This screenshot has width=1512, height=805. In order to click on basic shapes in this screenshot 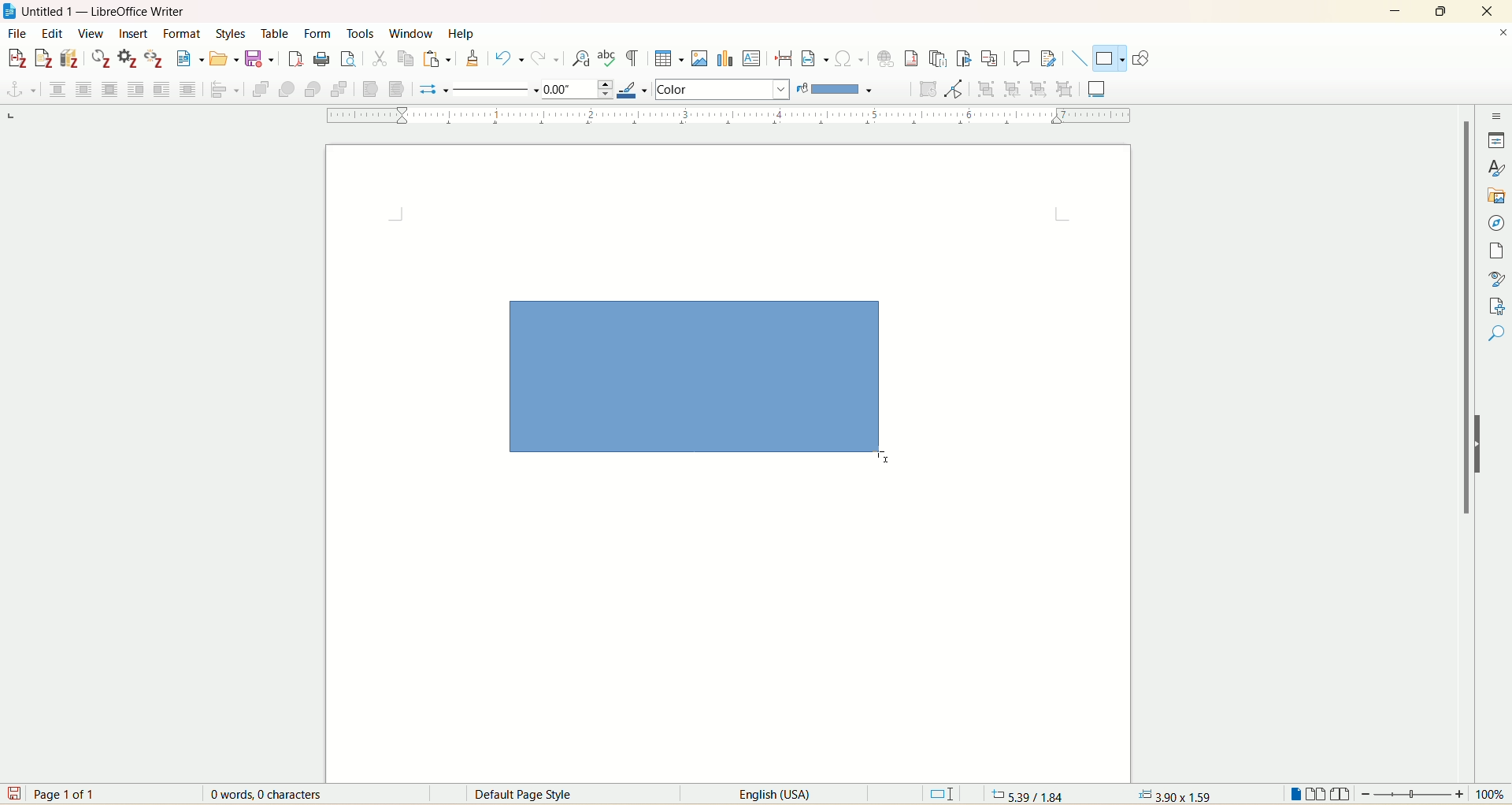, I will do `click(1107, 59)`.